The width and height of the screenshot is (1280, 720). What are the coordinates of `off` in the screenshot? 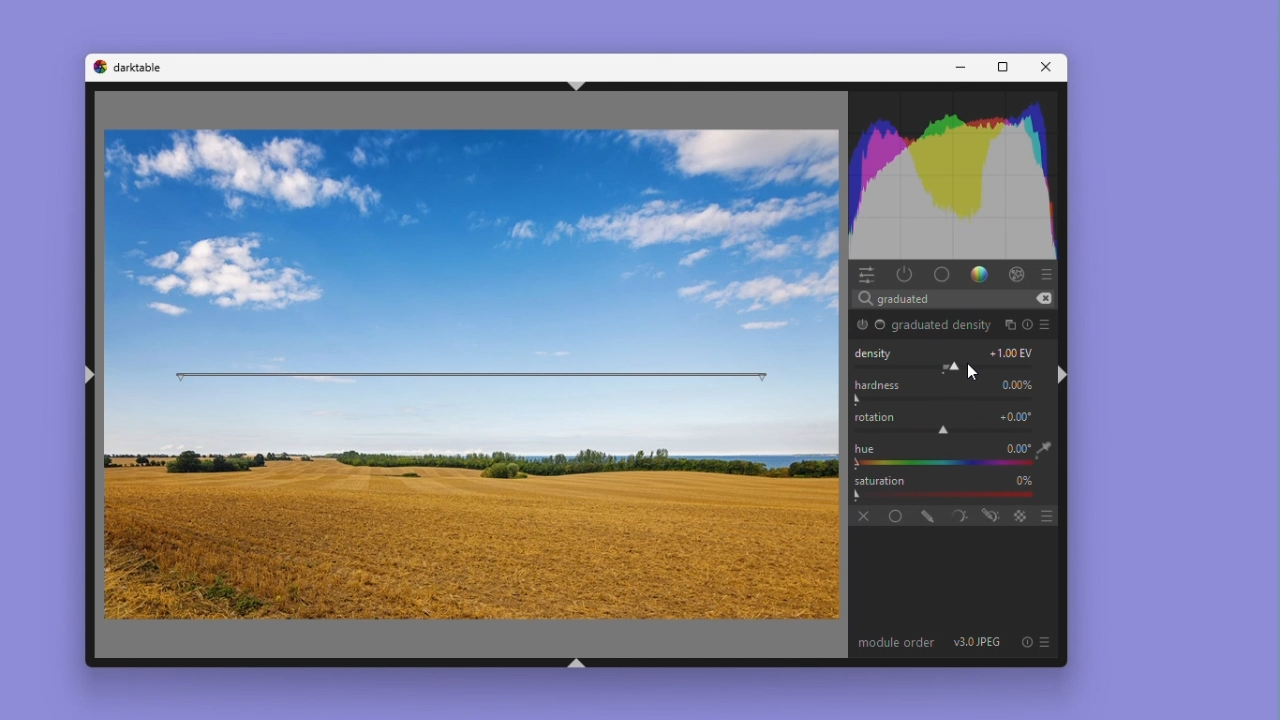 It's located at (861, 514).